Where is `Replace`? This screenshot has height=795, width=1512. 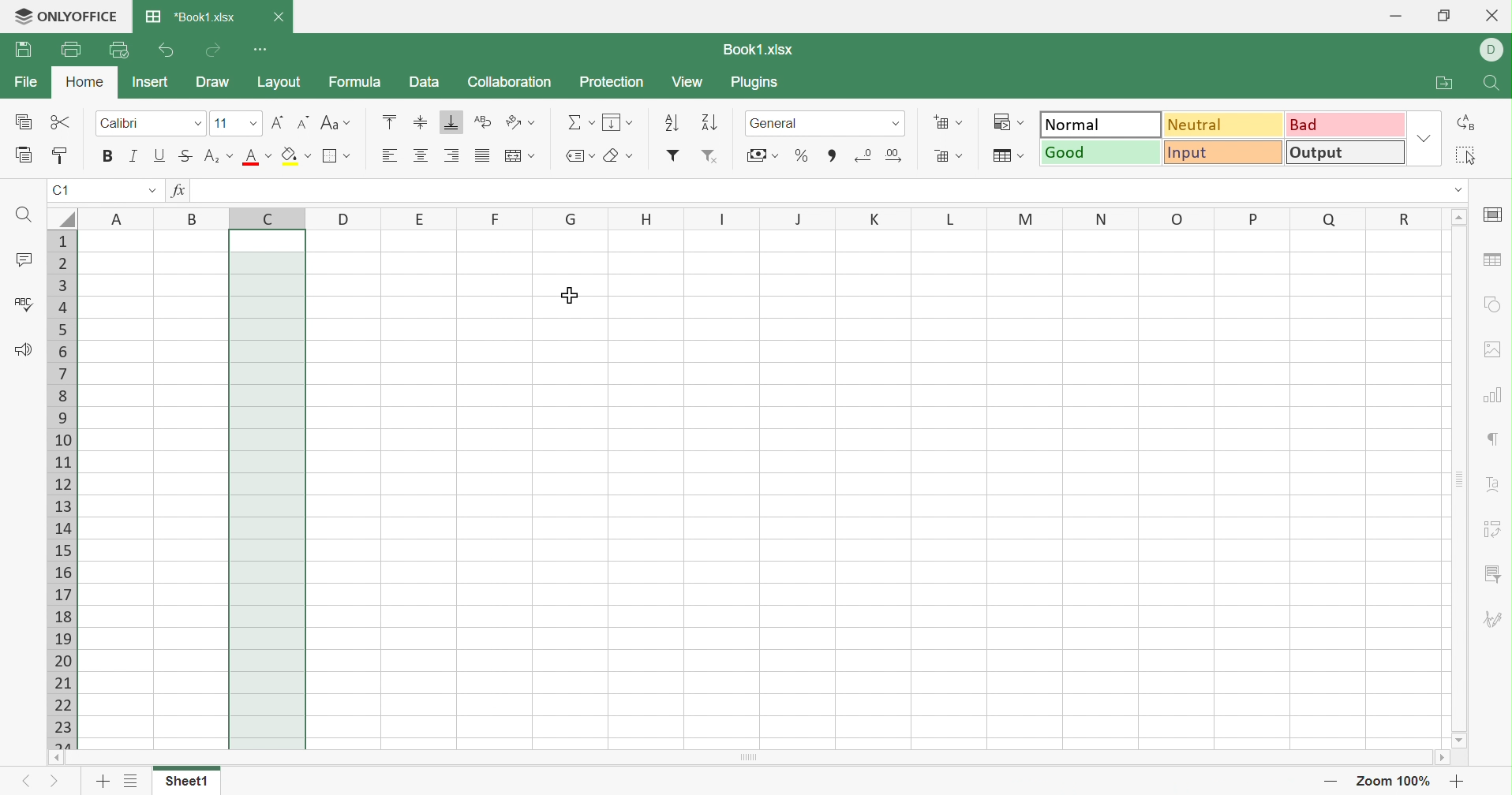 Replace is located at coordinates (1469, 123).